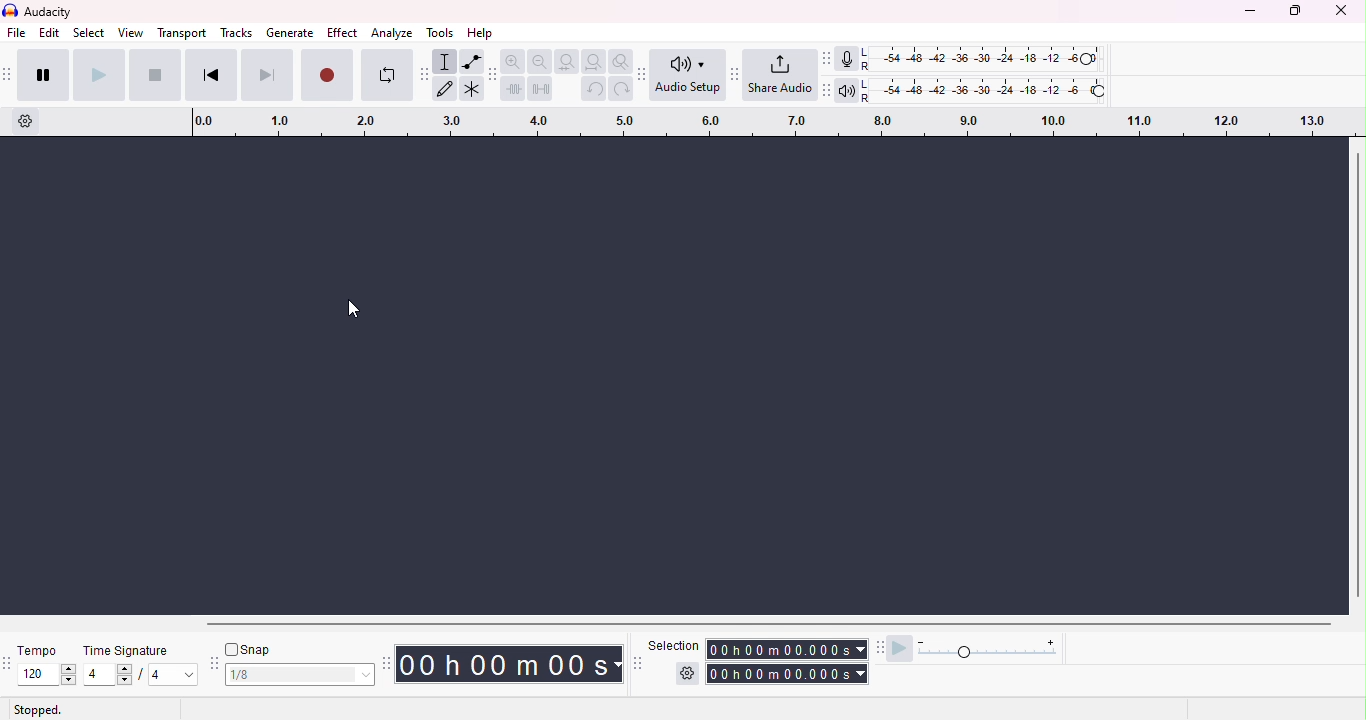 This screenshot has height=720, width=1366. I want to click on loop, so click(388, 74).